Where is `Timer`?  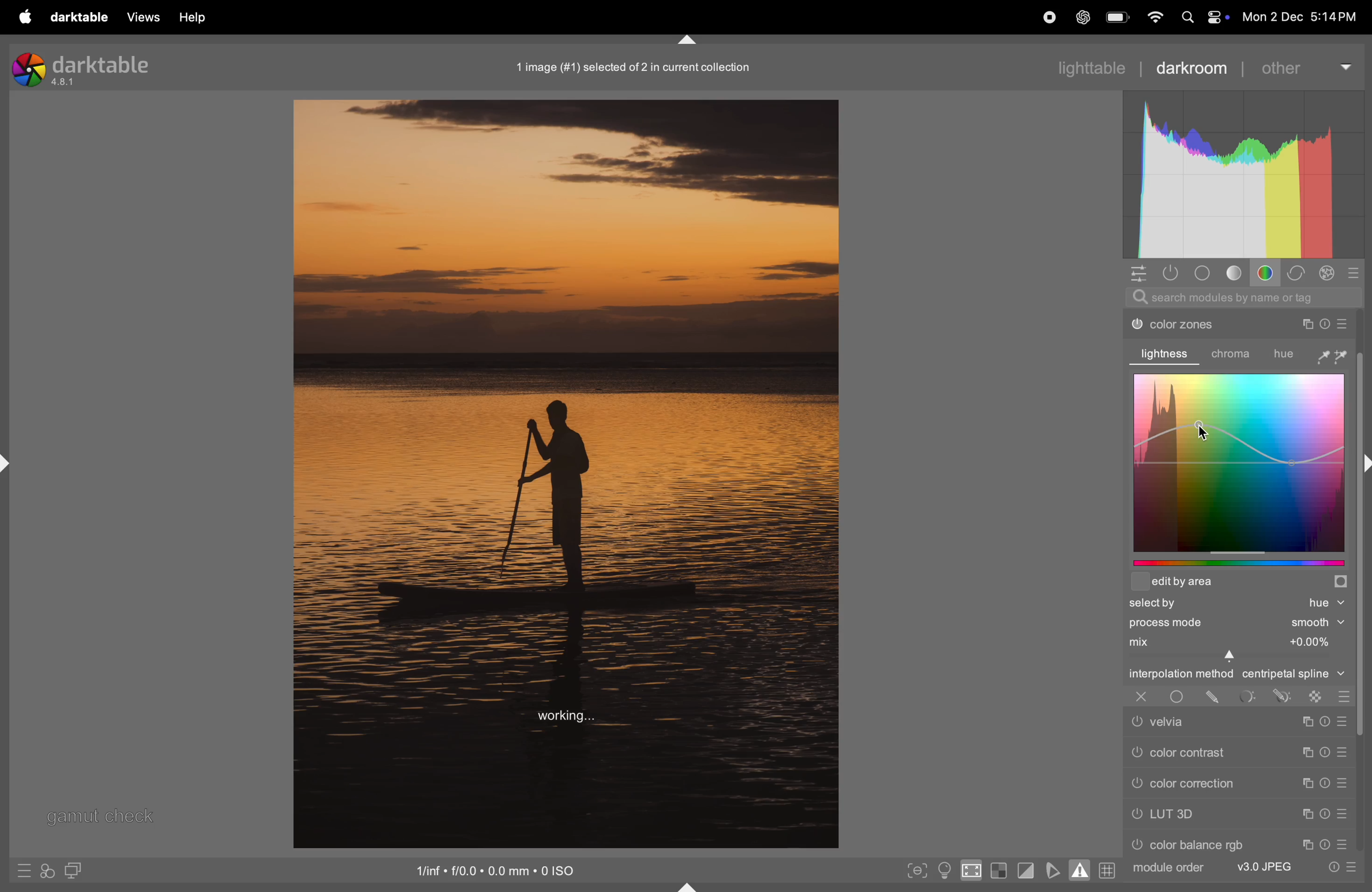
Timer is located at coordinates (1322, 324).